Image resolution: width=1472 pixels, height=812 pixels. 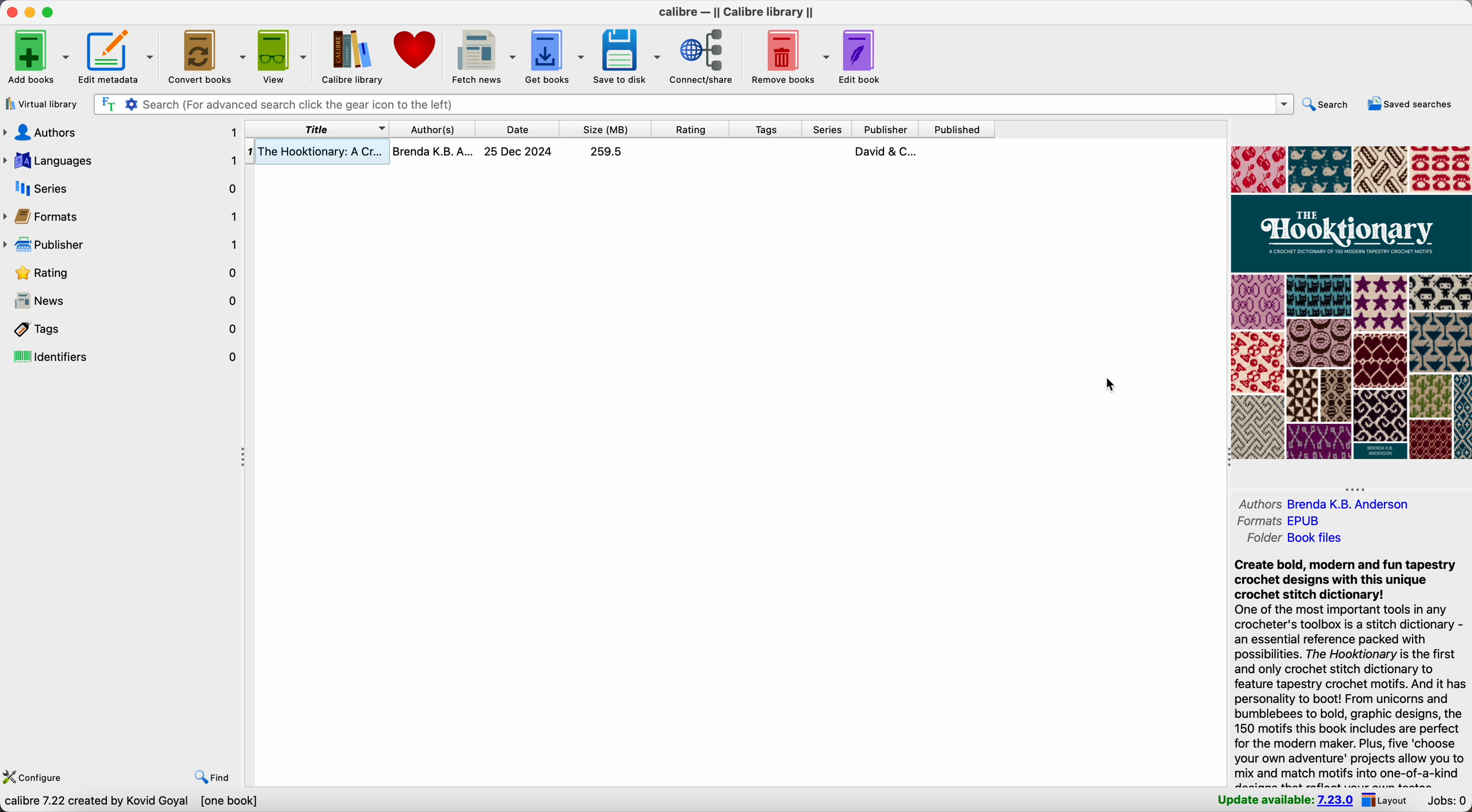 I want to click on update available, so click(x=1285, y=802).